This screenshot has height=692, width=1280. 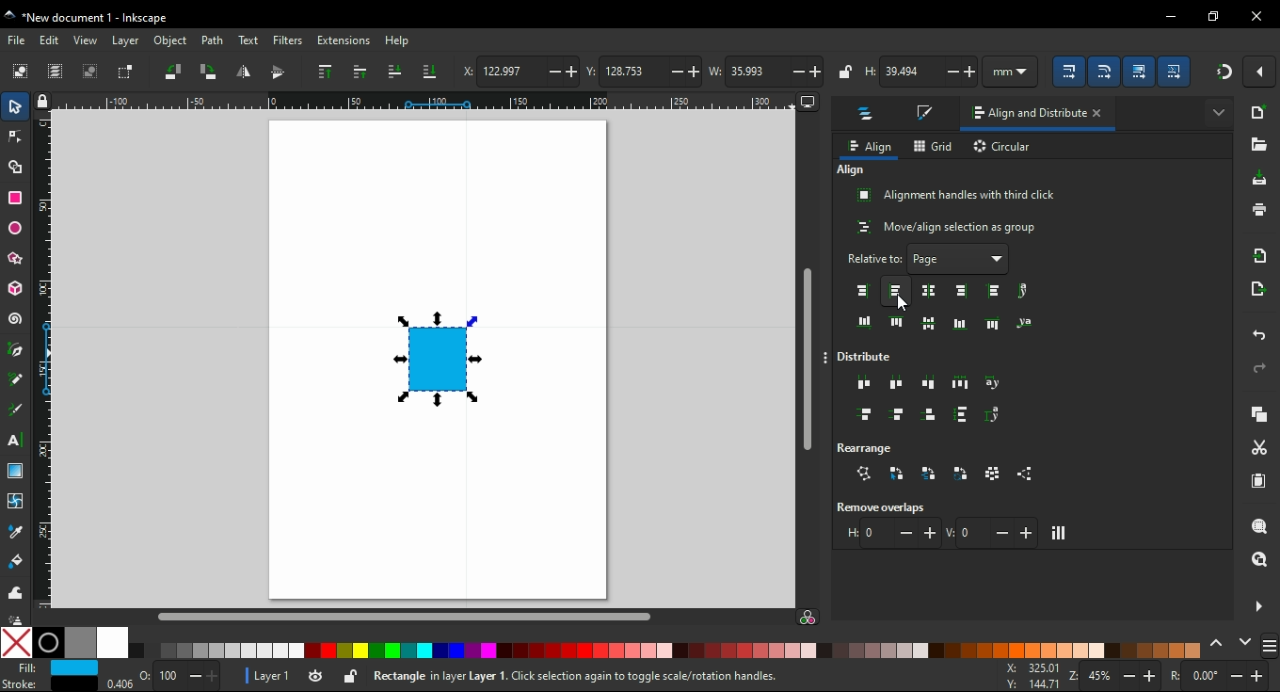 What do you see at coordinates (994, 322) in the screenshot?
I see `align top edges of objects to bottom edge of  anchor` at bounding box center [994, 322].